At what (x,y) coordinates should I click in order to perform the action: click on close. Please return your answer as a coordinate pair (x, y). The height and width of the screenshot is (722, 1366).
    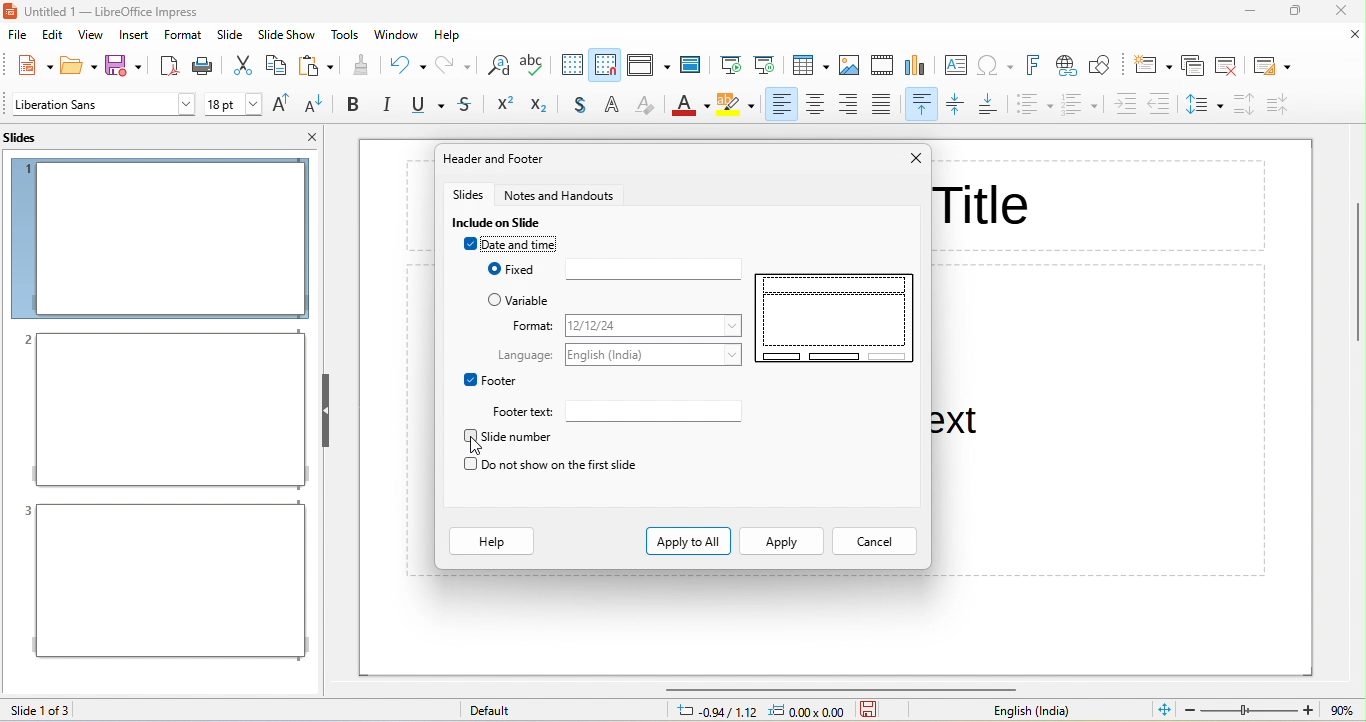
    Looking at the image, I should click on (312, 136).